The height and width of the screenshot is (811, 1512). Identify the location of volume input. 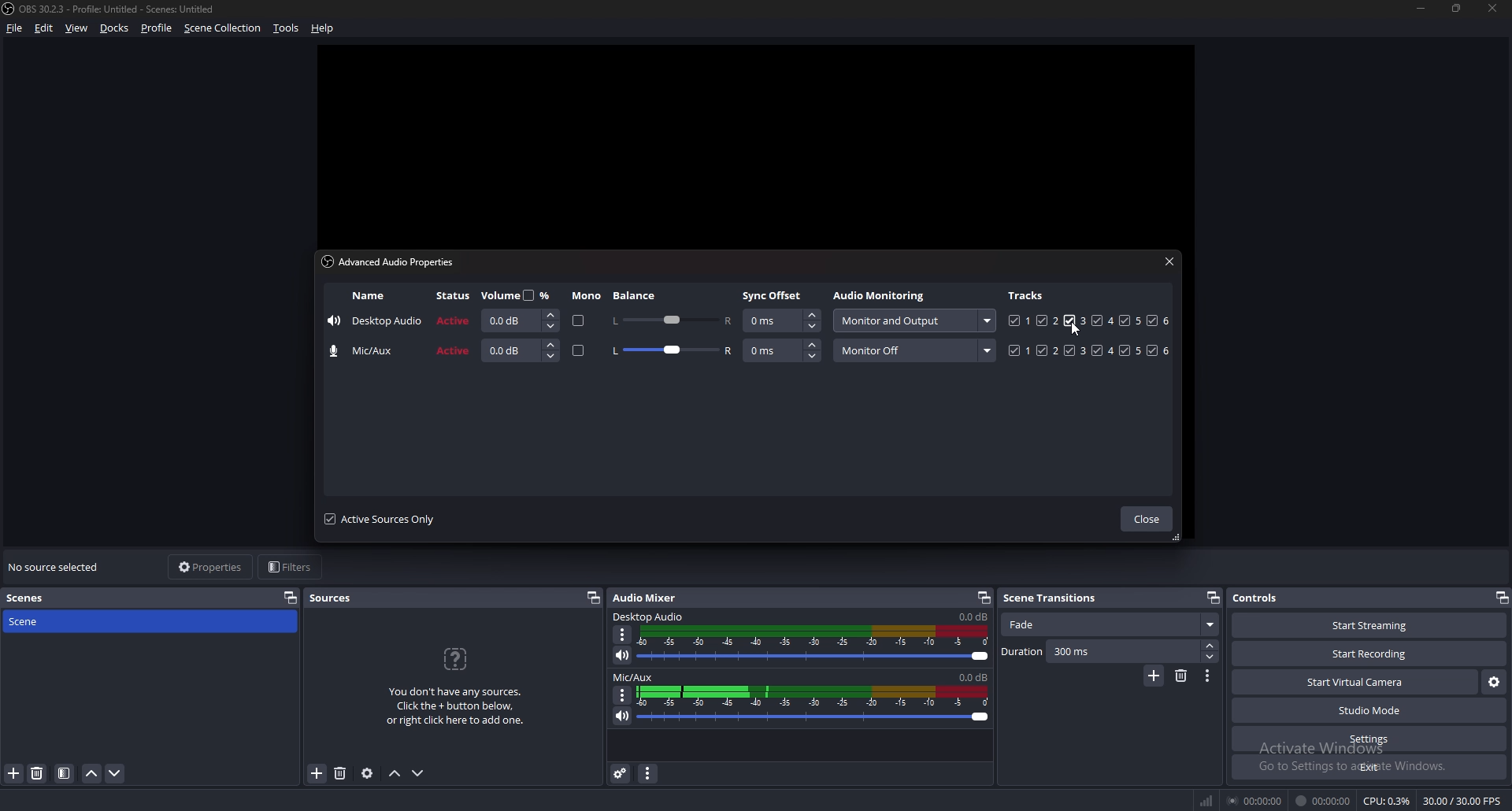
(521, 350).